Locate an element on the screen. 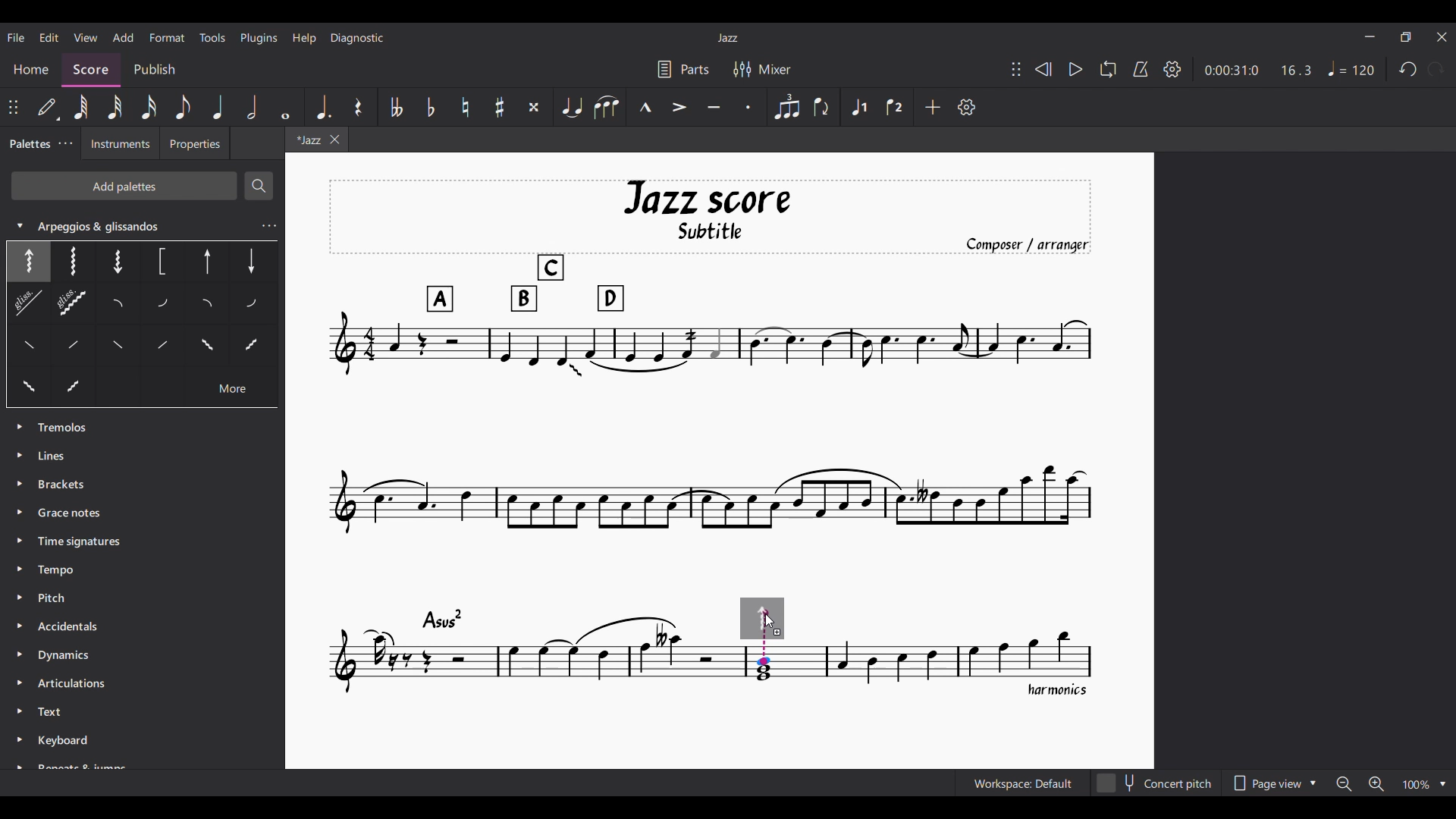 Image resolution: width=1456 pixels, height=819 pixels. Palette settings is located at coordinates (65, 143).